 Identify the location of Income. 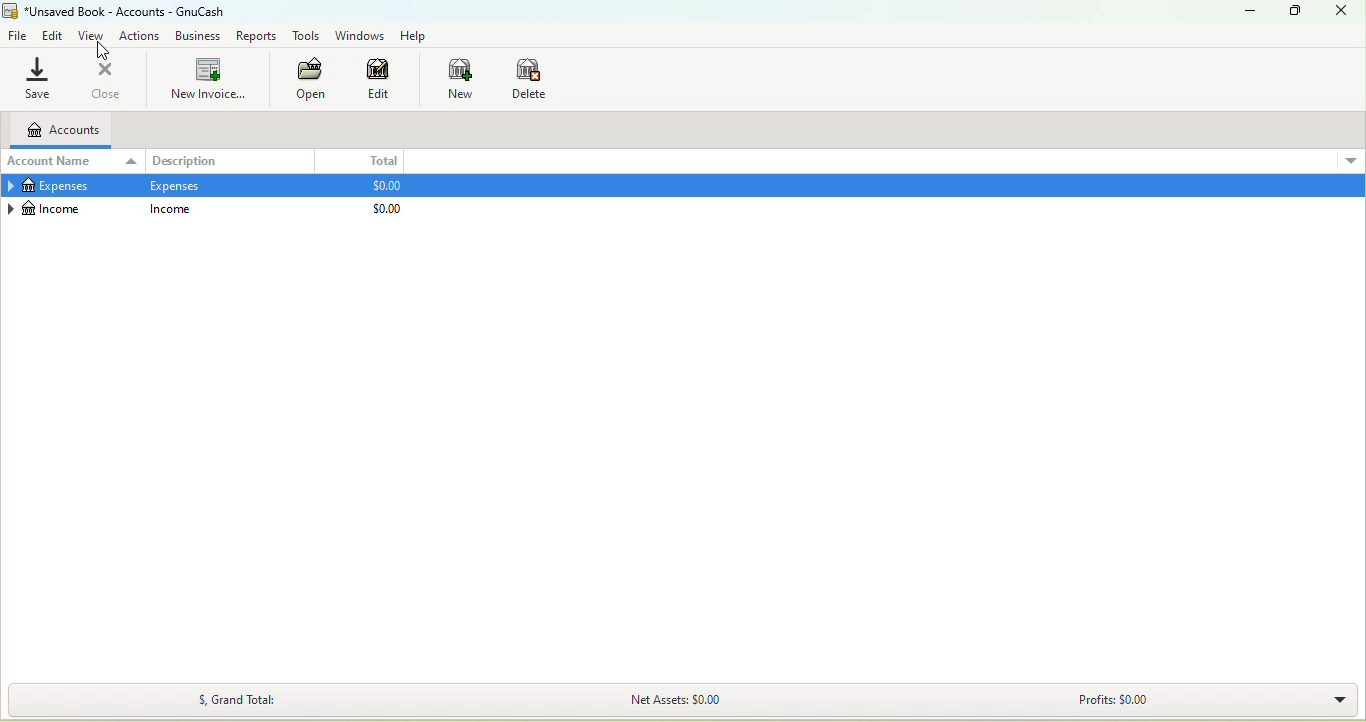
(54, 210).